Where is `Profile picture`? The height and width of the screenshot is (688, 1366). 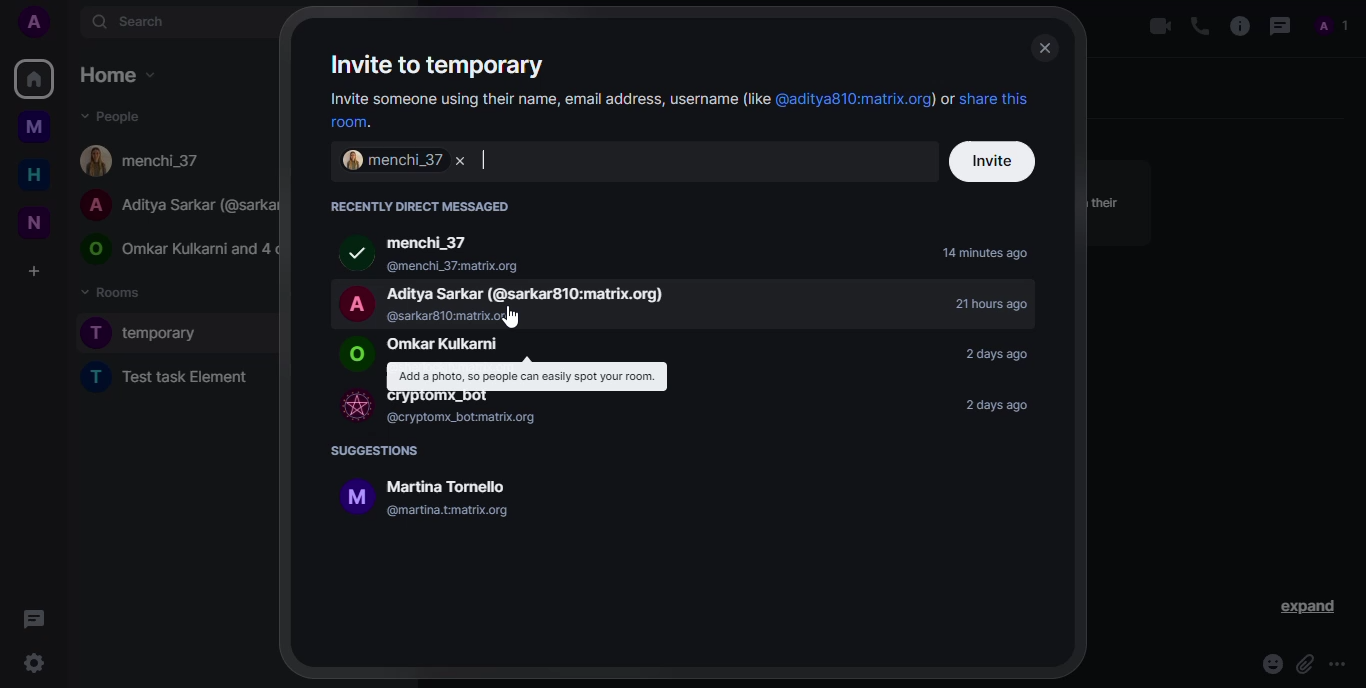
Profile picture is located at coordinates (354, 356).